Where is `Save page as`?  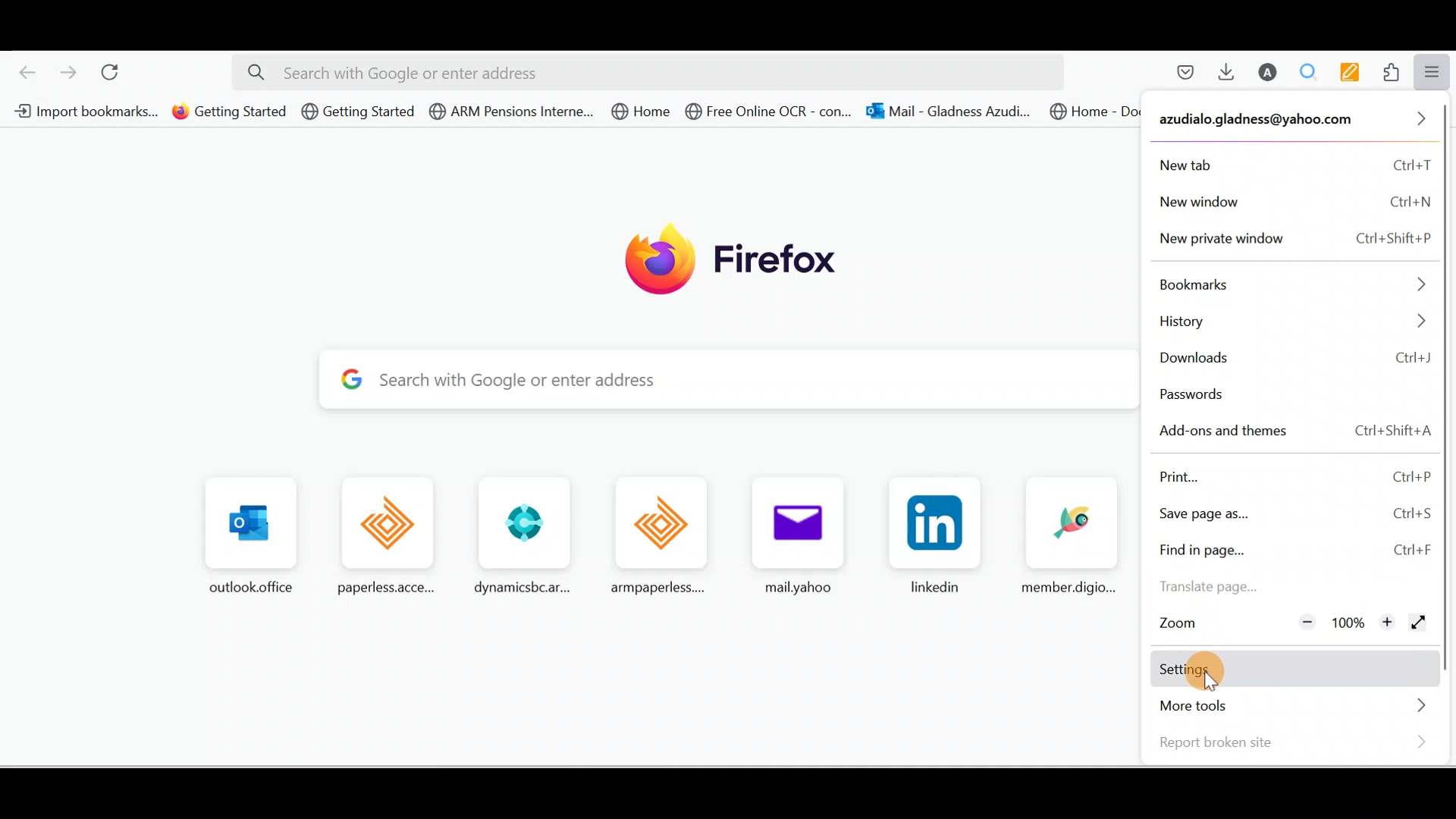 Save page as is located at coordinates (1299, 516).